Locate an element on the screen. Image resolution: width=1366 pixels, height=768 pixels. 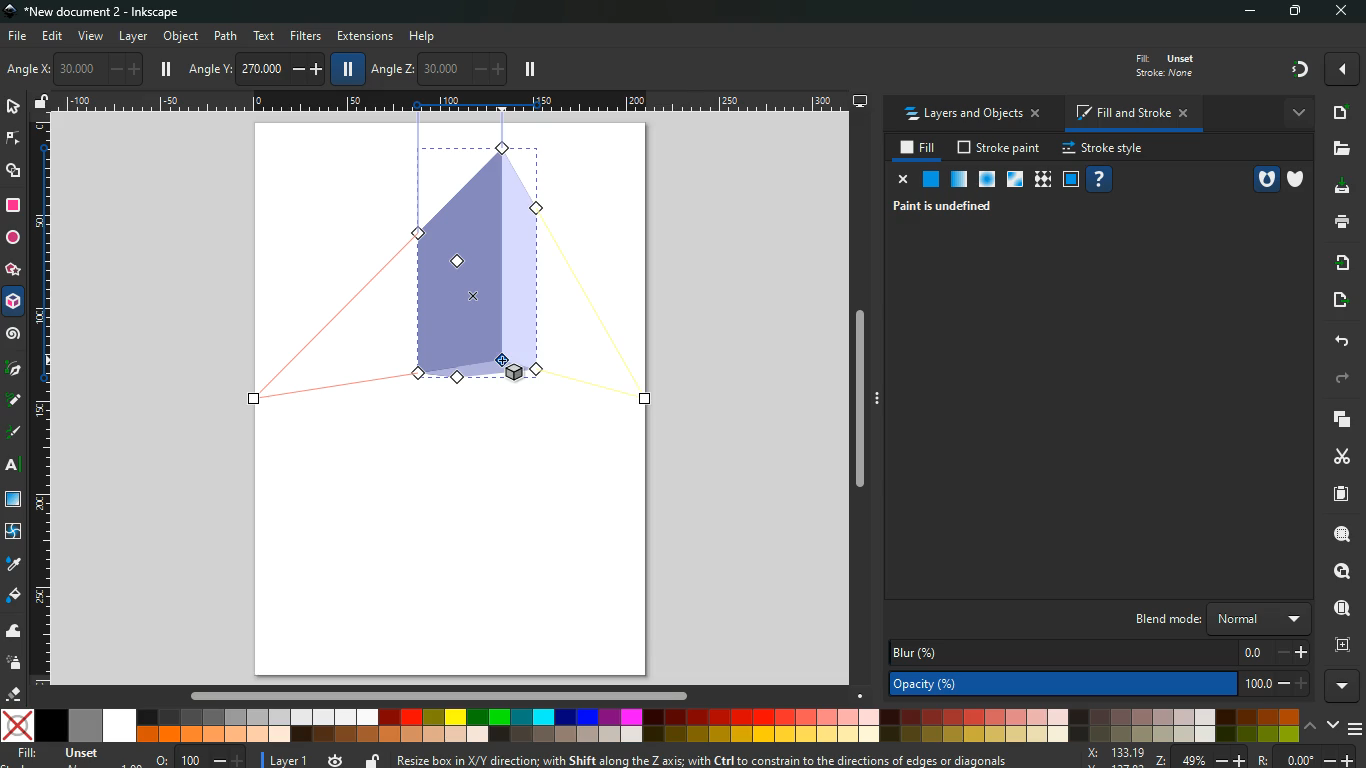
more is located at coordinates (1296, 112).